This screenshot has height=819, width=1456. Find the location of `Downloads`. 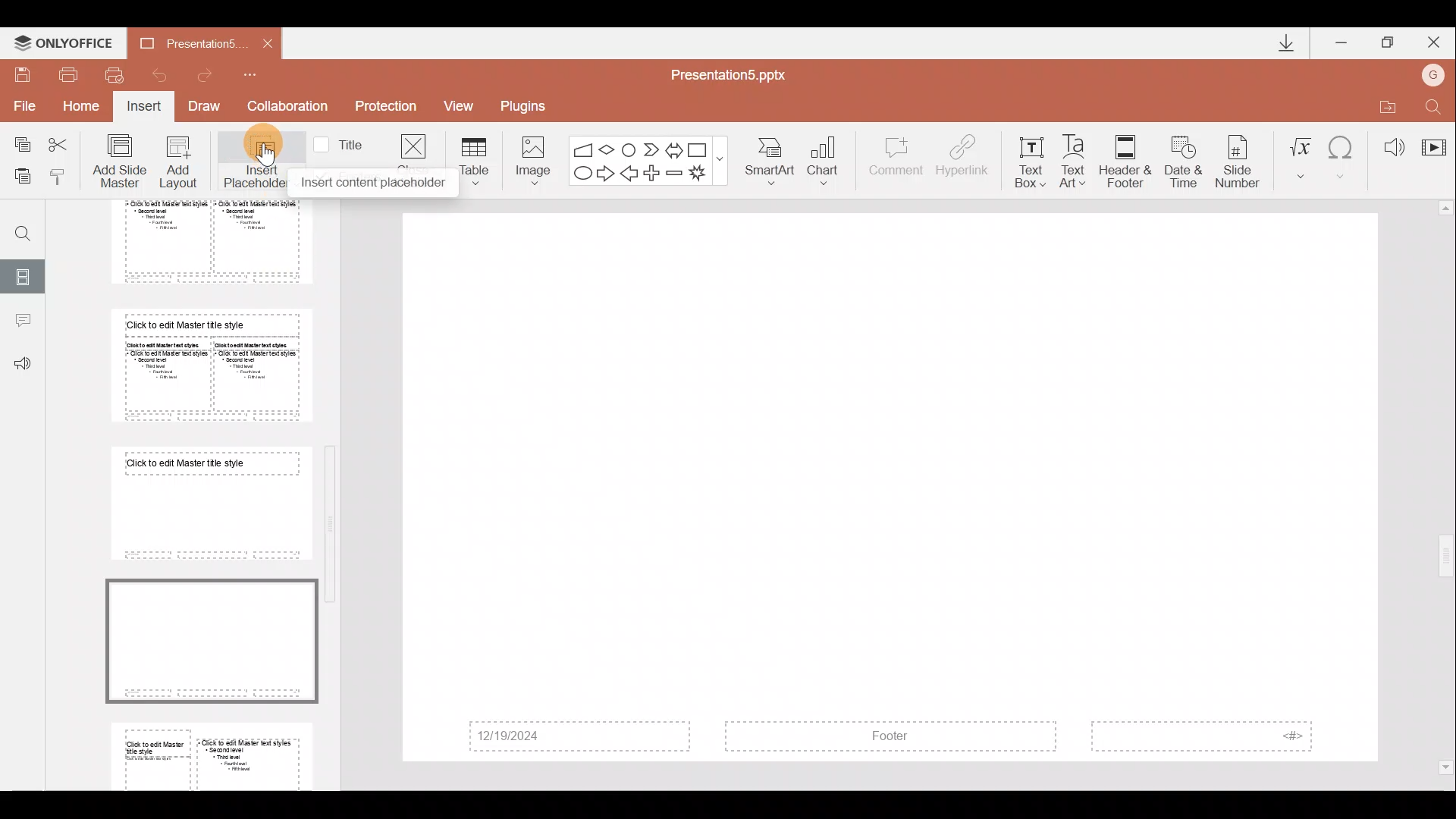

Downloads is located at coordinates (1280, 42).